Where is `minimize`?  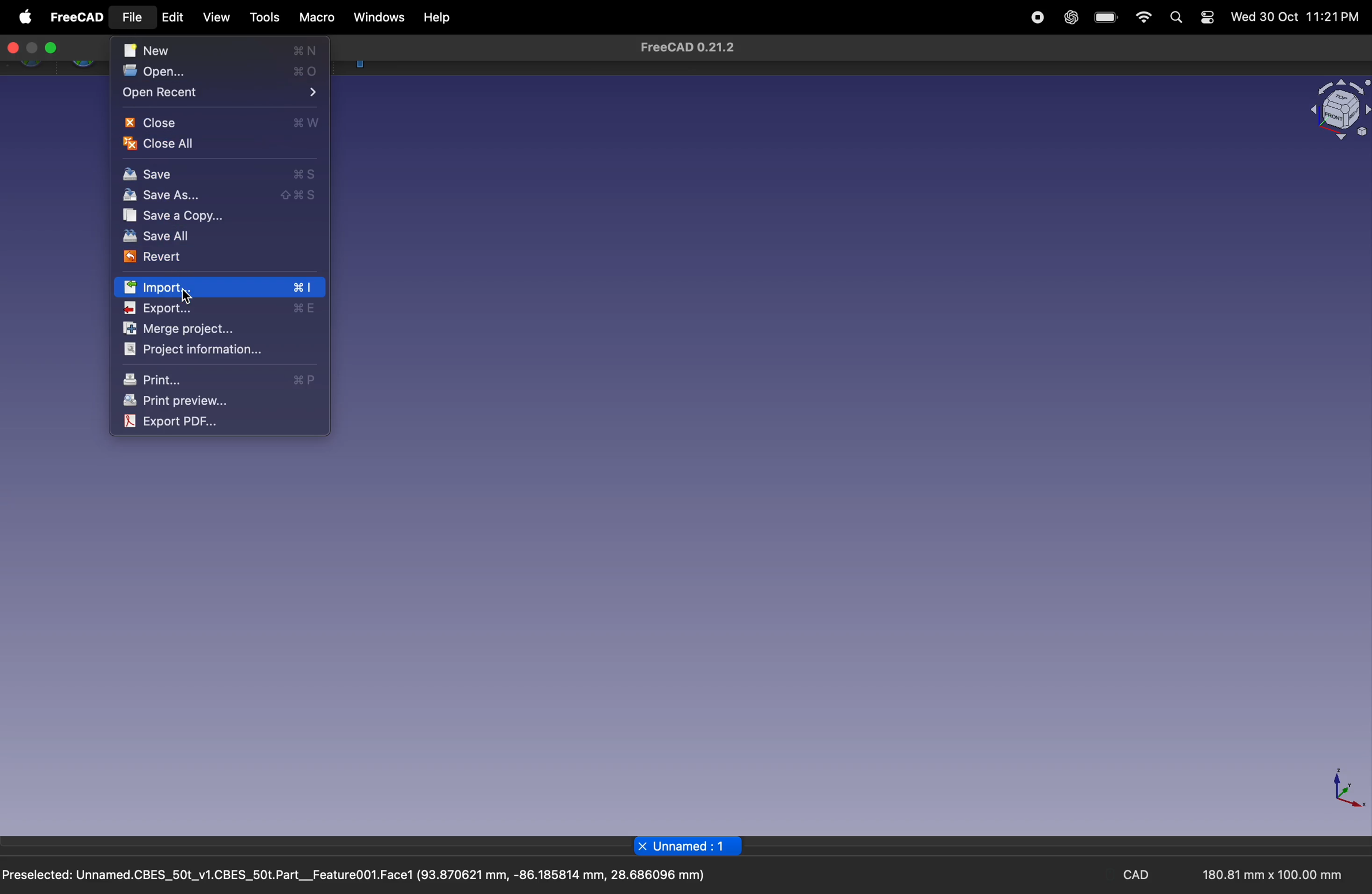
minimize is located at coordinates (32, 48).